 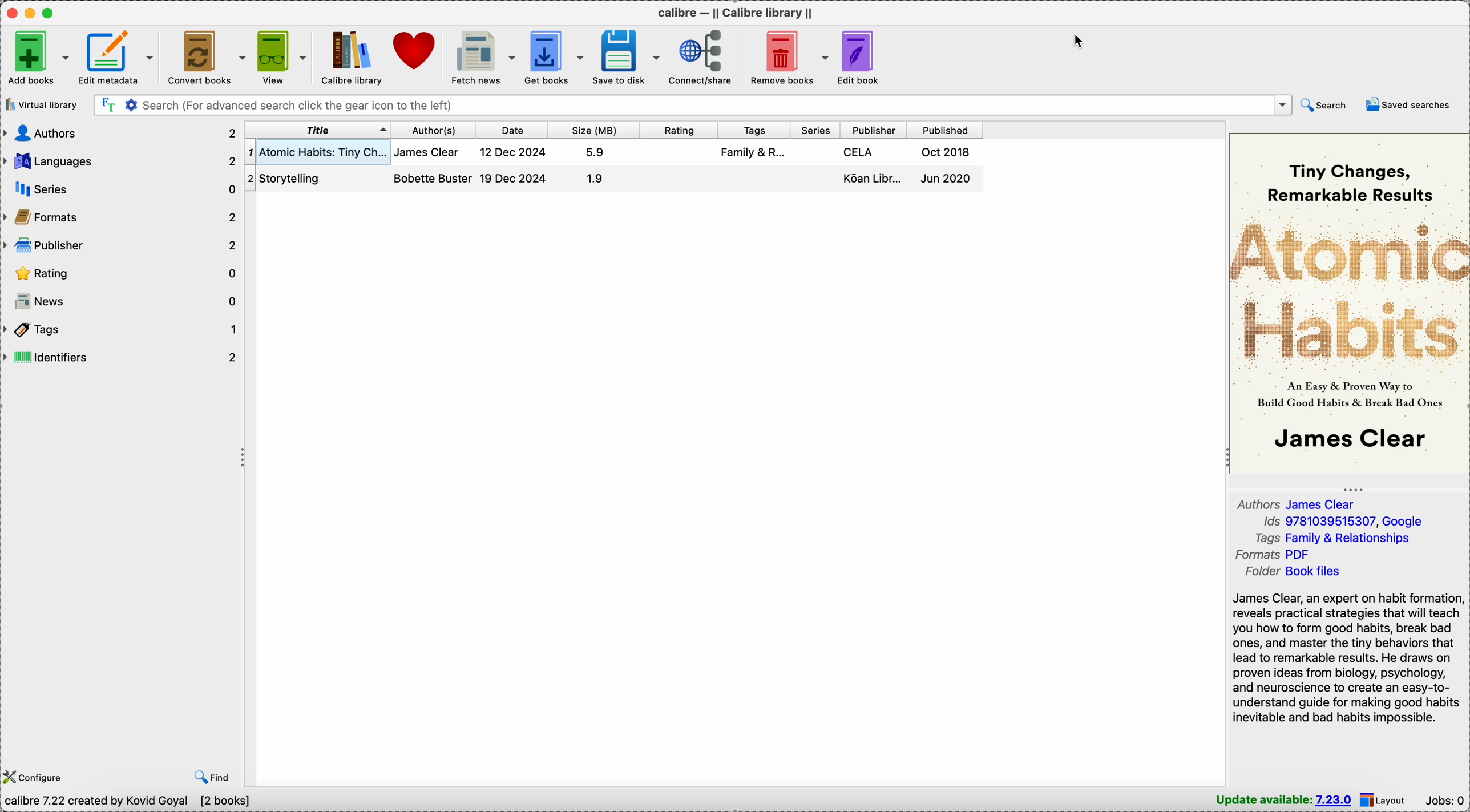 I want to click on ags, so click(x=753, y=154).